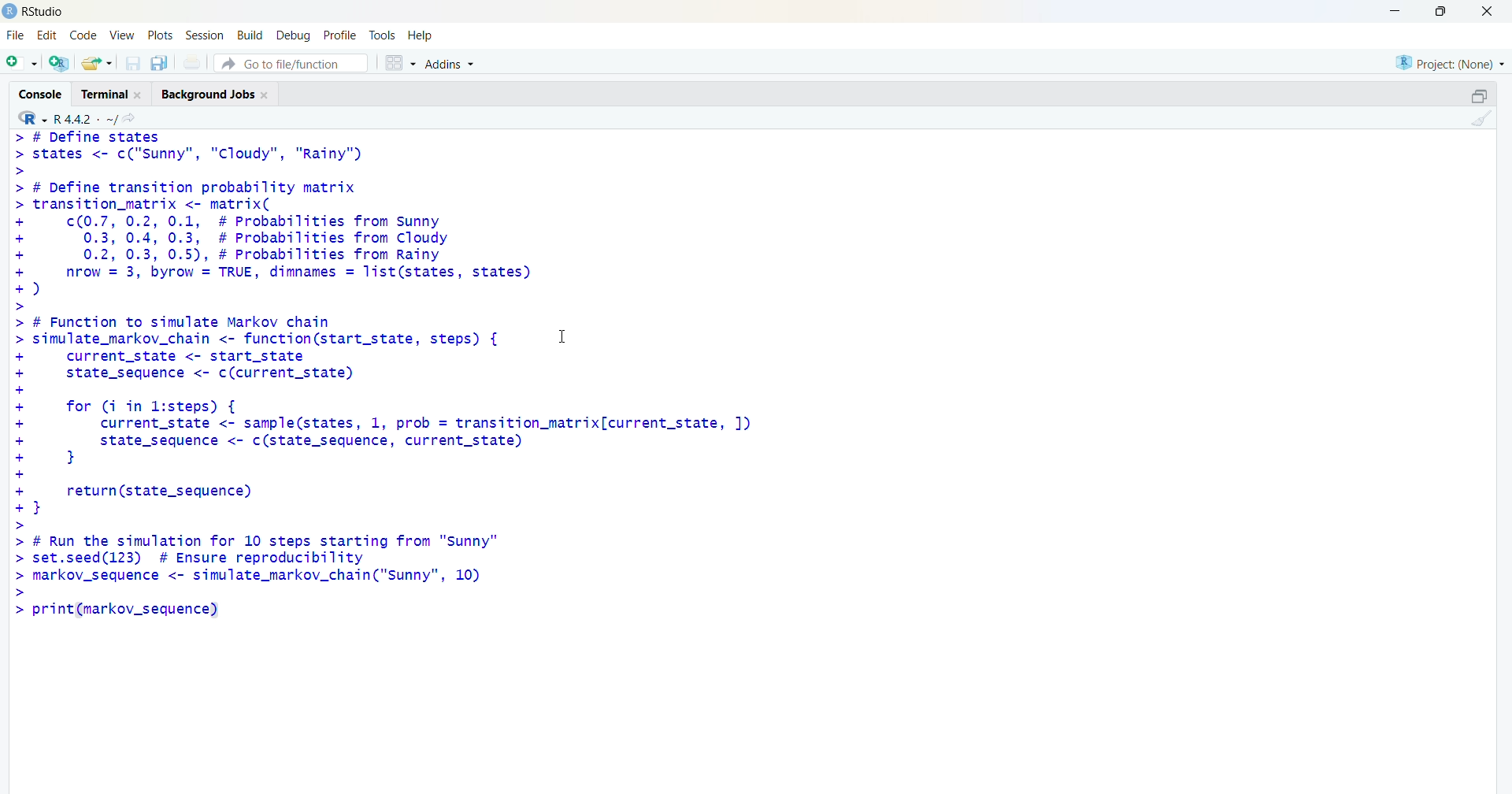  I want to click on > # Function to simulate Markov chain
simulate_markov_chain <- function(start_state, steps) { I
current_state <- start_state
state_sequence <- c(current_state)
for (i in l:steps) {
current_state <- sample(states, 1, prob = transition_matrix[current_state, ])
state_sequence <- c(state_sequence, current_state)
}
return(state_sequence)
}
# Run the simulation for 10 steps starting from "Sunny"
set.seed(123) # Ensure reproducibility
markov_sequence <- simulate_markov_chain("Sunny", 10), so click(424, 455).